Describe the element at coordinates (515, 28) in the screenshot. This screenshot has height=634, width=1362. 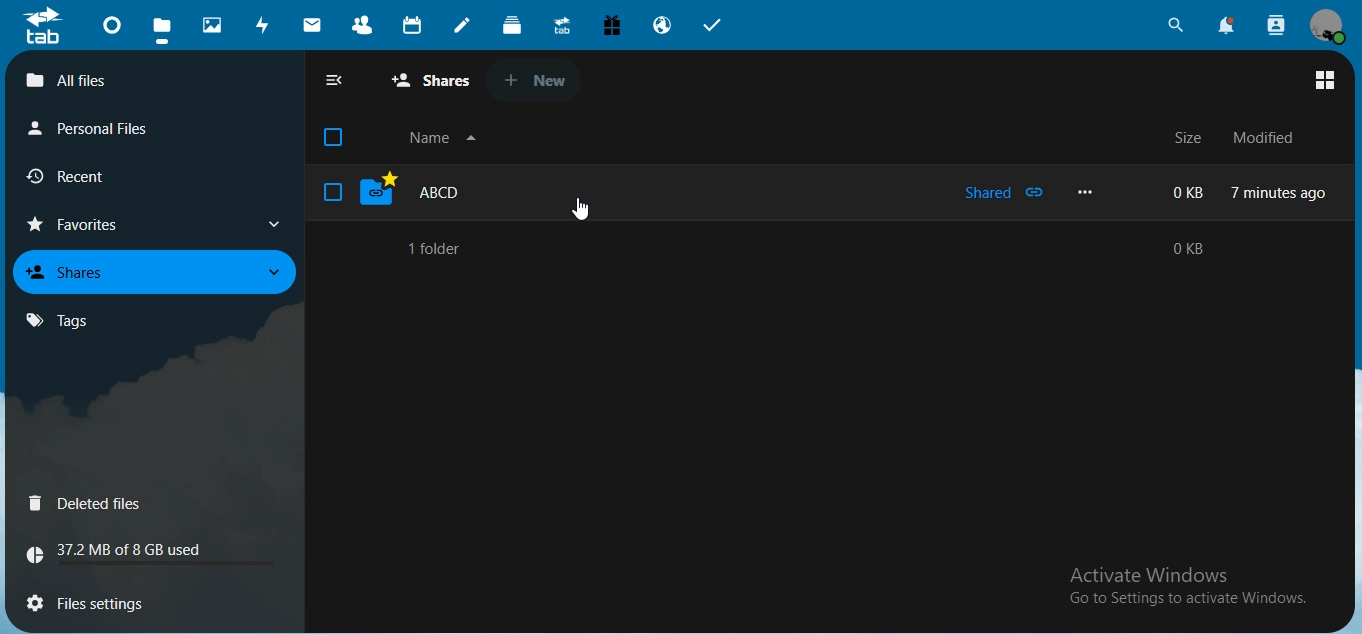
I see `deck` at that location.